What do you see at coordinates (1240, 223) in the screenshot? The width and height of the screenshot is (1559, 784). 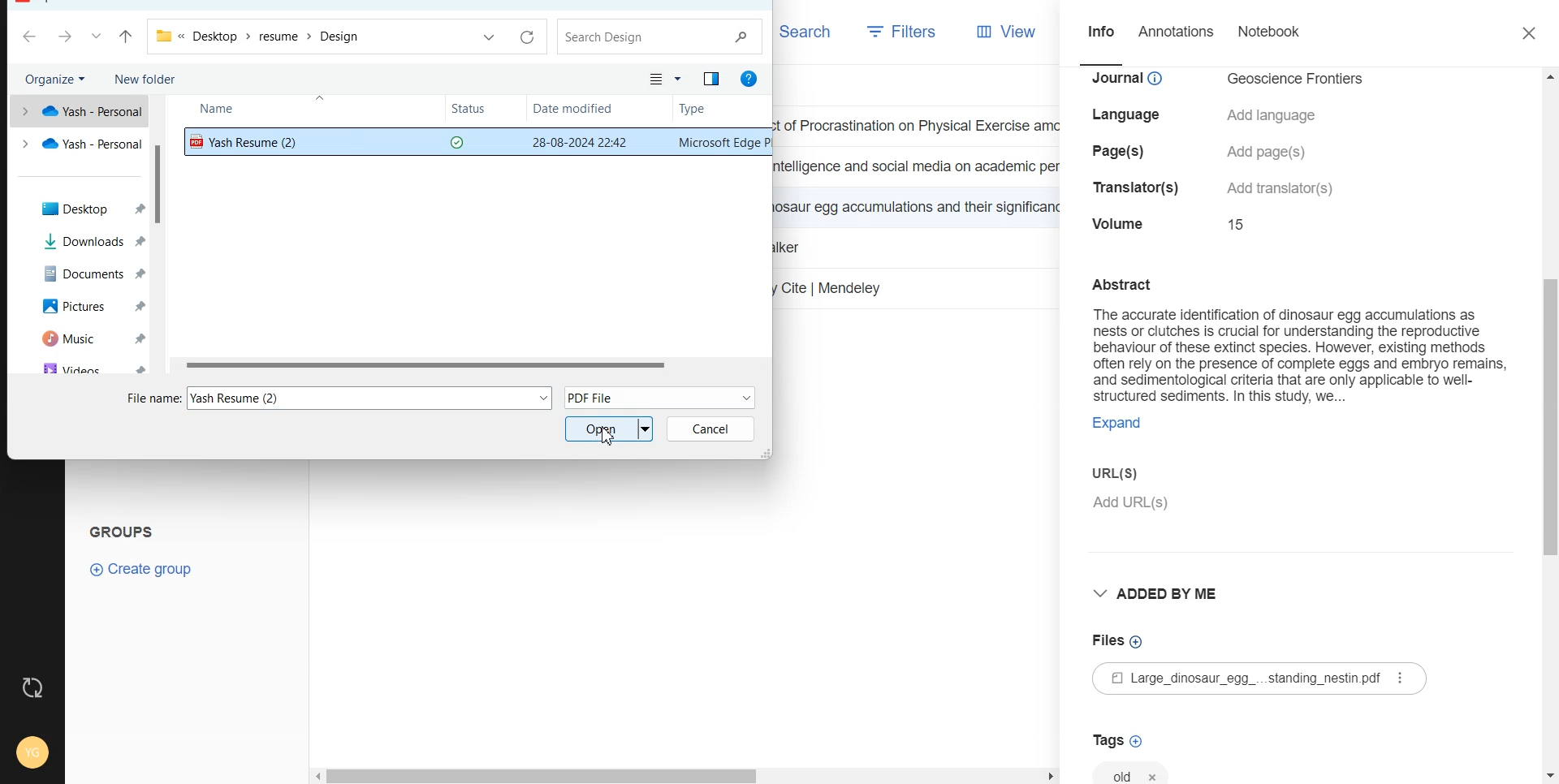 I see `details` at bounding box center [1240, 223].